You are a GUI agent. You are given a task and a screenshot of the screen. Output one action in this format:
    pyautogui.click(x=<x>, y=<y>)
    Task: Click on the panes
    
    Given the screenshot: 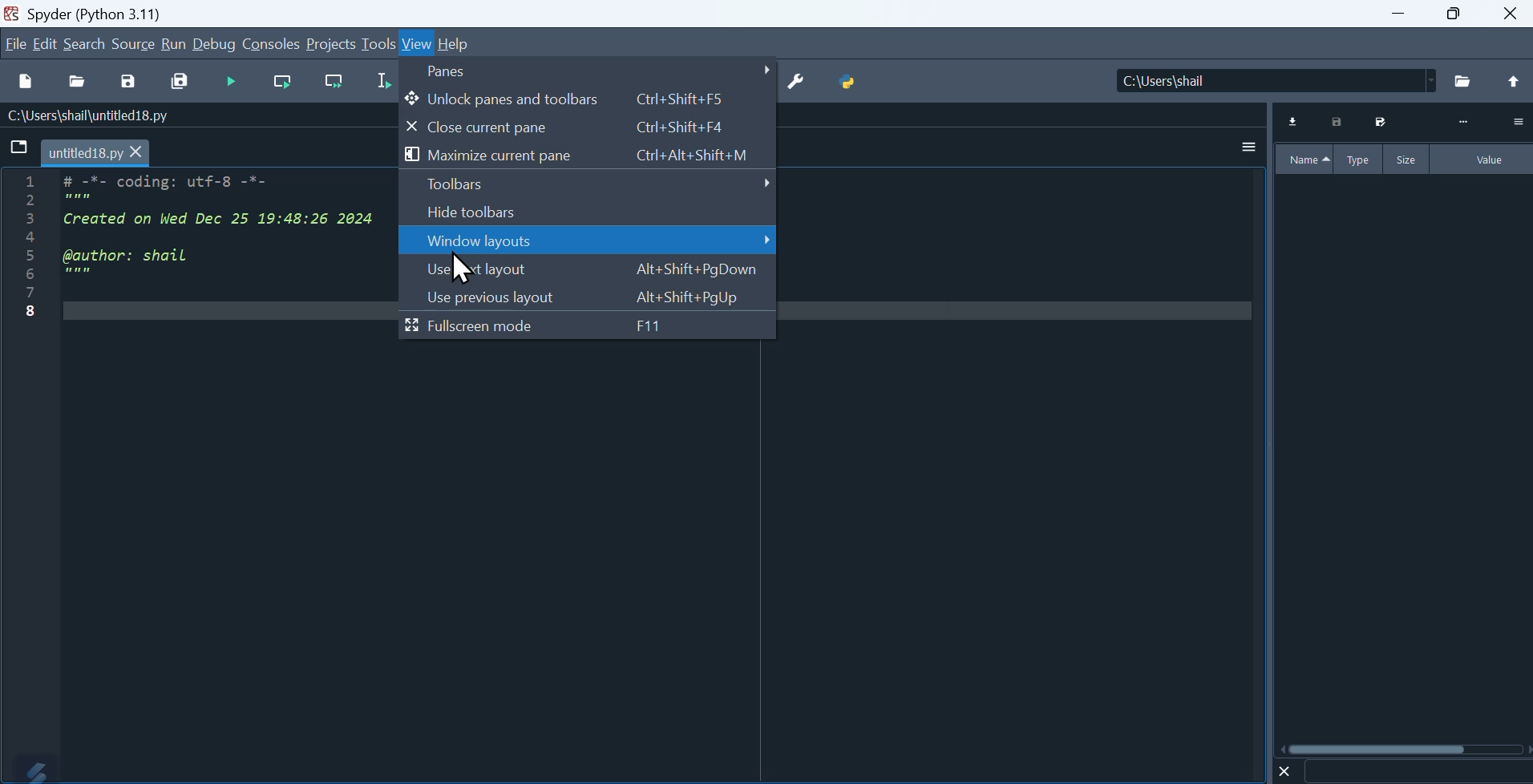 What is the action you would take?
    pyautogui.click(x=591, y=71)
    